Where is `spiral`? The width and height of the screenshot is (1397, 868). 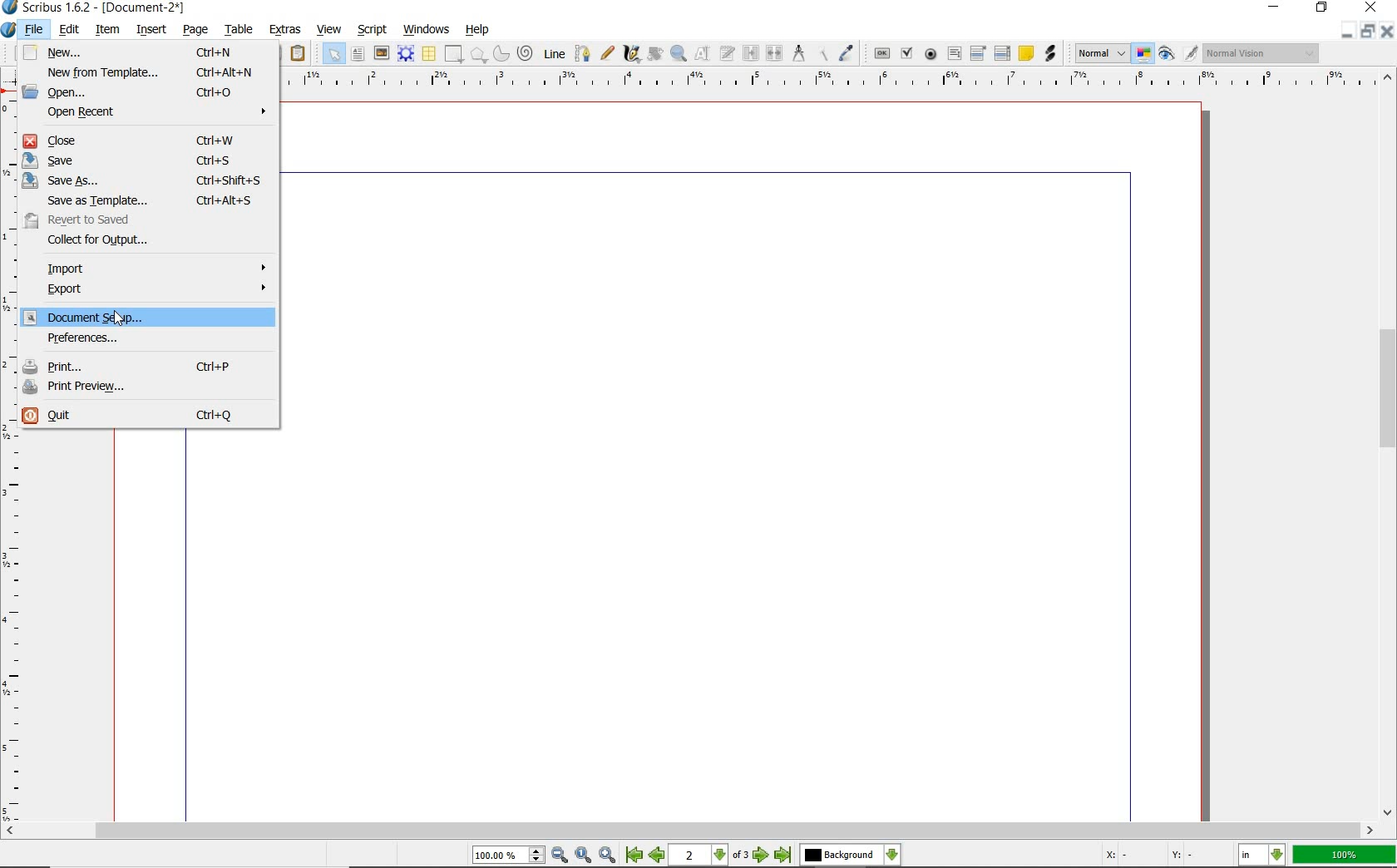 spiral is located at coordinates (525, 52).